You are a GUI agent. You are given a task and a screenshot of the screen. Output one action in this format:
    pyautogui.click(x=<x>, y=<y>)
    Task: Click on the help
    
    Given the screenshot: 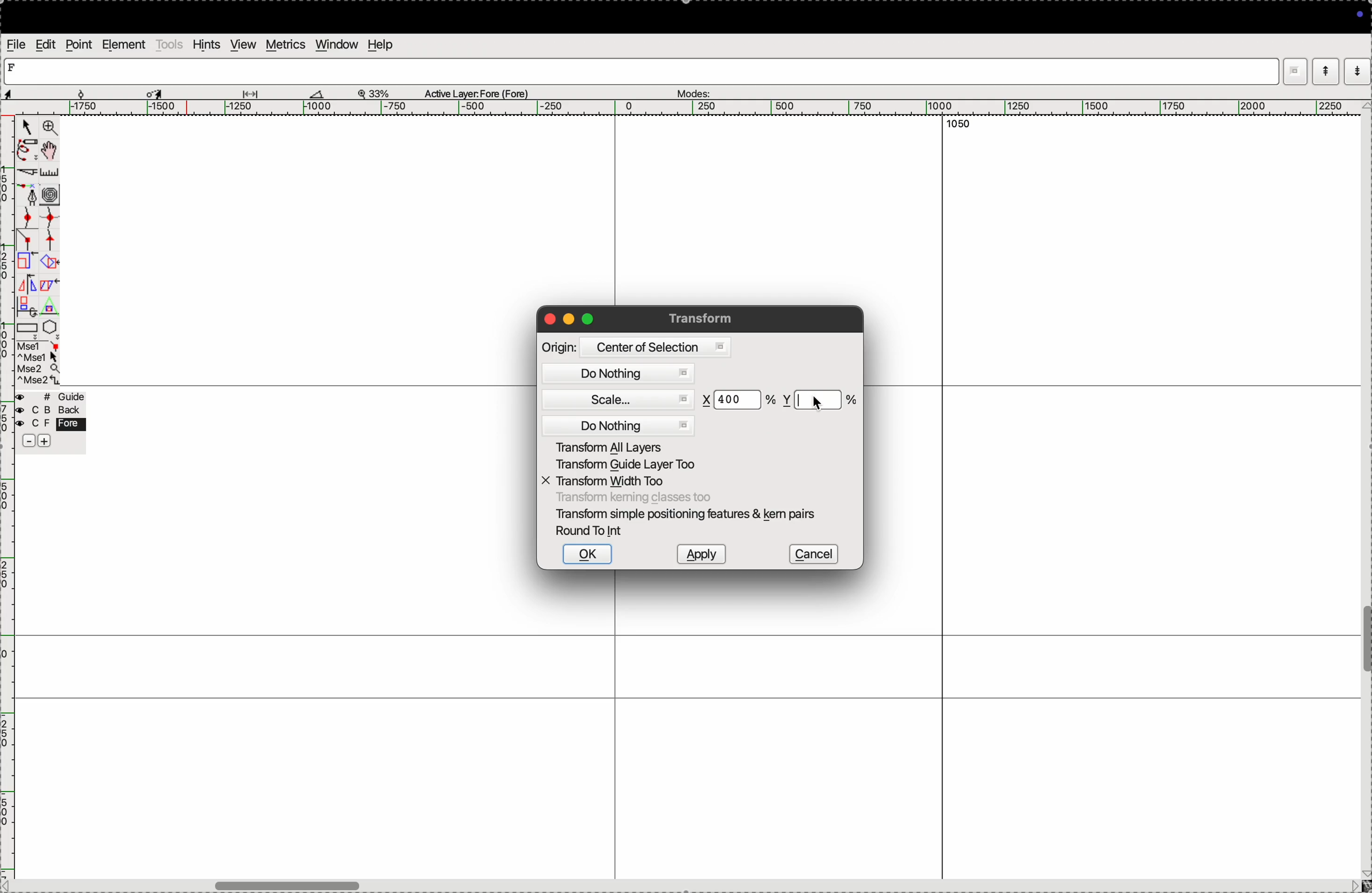 What is the action you would take?
    pyautogui.click(x=379, y=44)
    